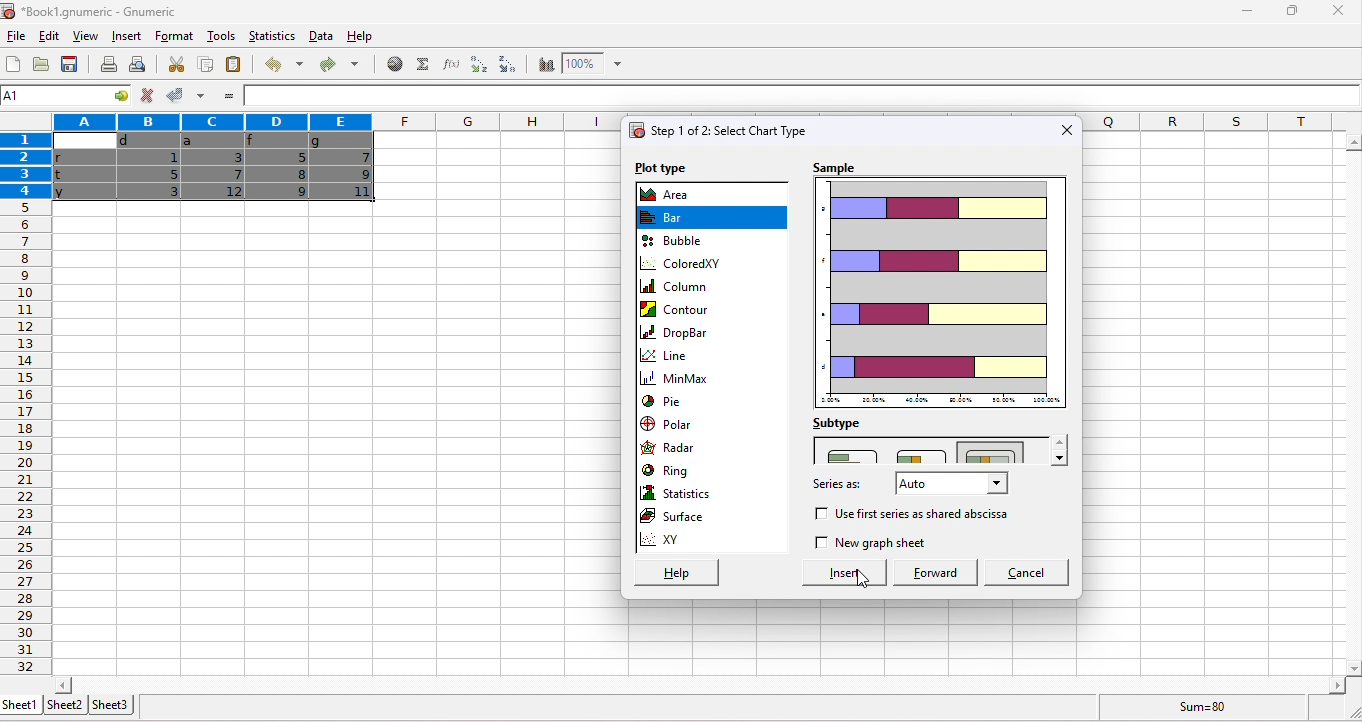 The image size is (1362, 722). I want to click on drop down, so click(1061, 450).